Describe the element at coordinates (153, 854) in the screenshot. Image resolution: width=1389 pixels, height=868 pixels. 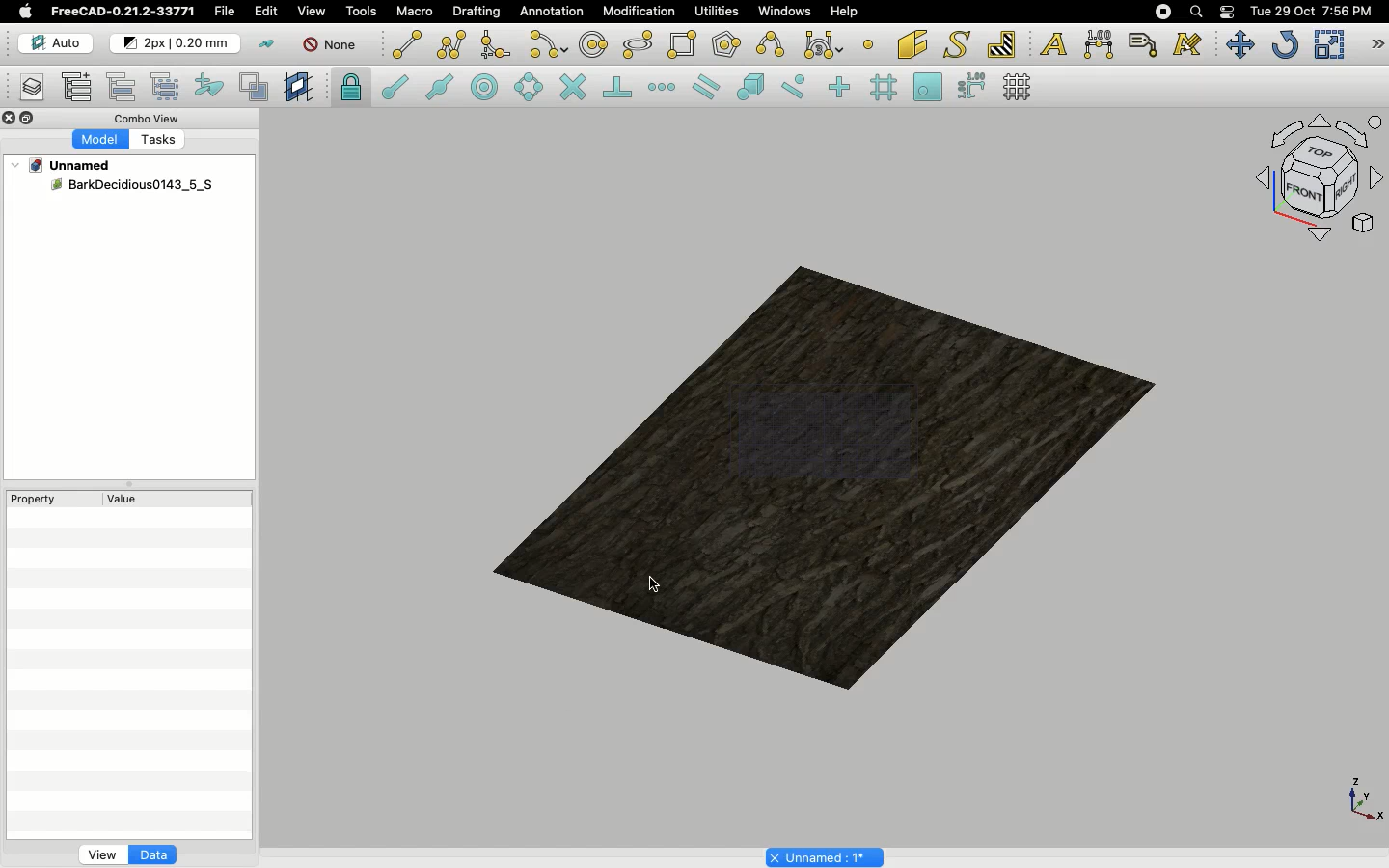
I see `Data` at that location.